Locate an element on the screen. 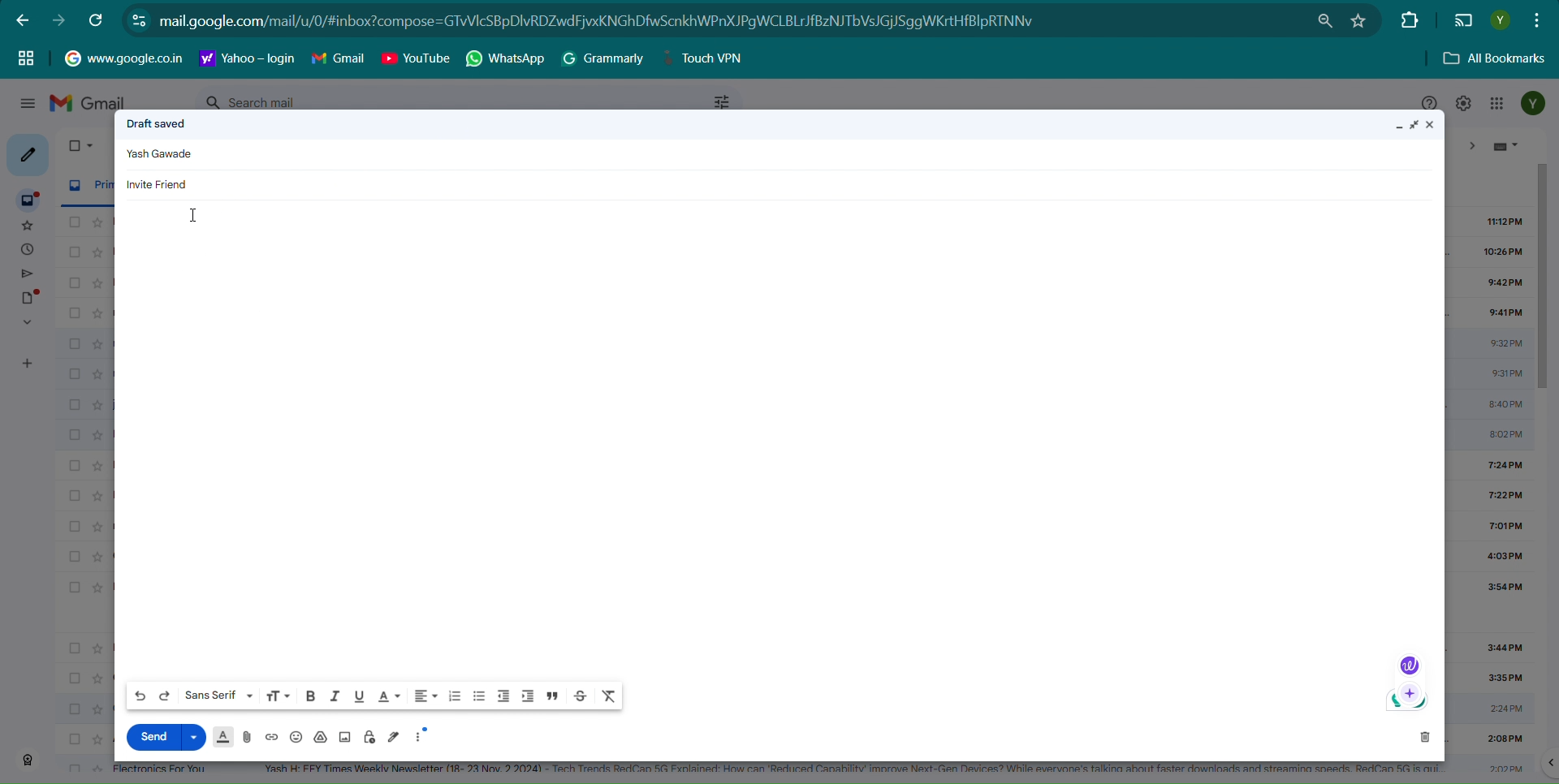  Logo is located at coordinates (1407, 702).